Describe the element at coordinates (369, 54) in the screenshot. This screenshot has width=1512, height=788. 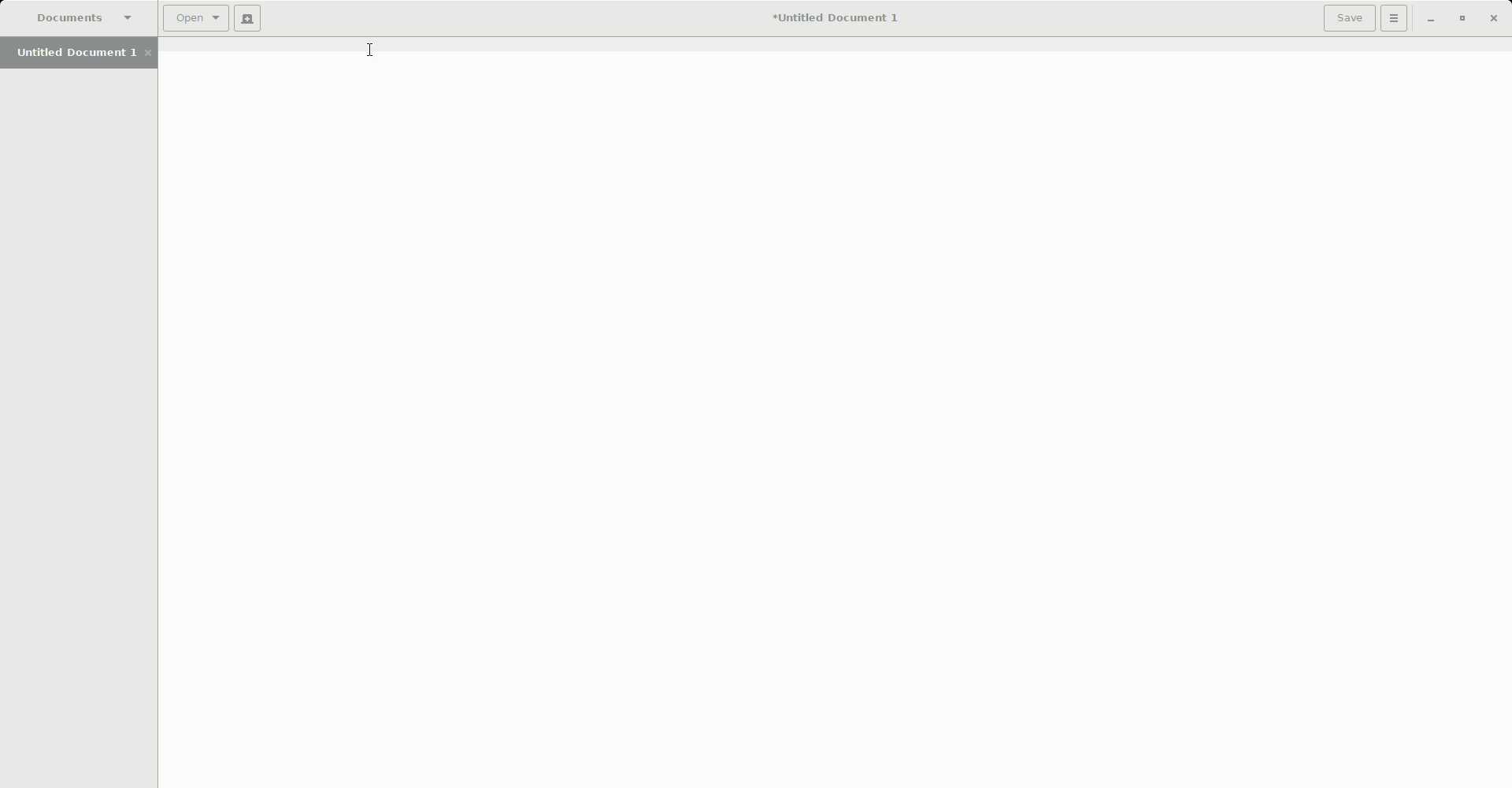
I see `cursor` at that location.